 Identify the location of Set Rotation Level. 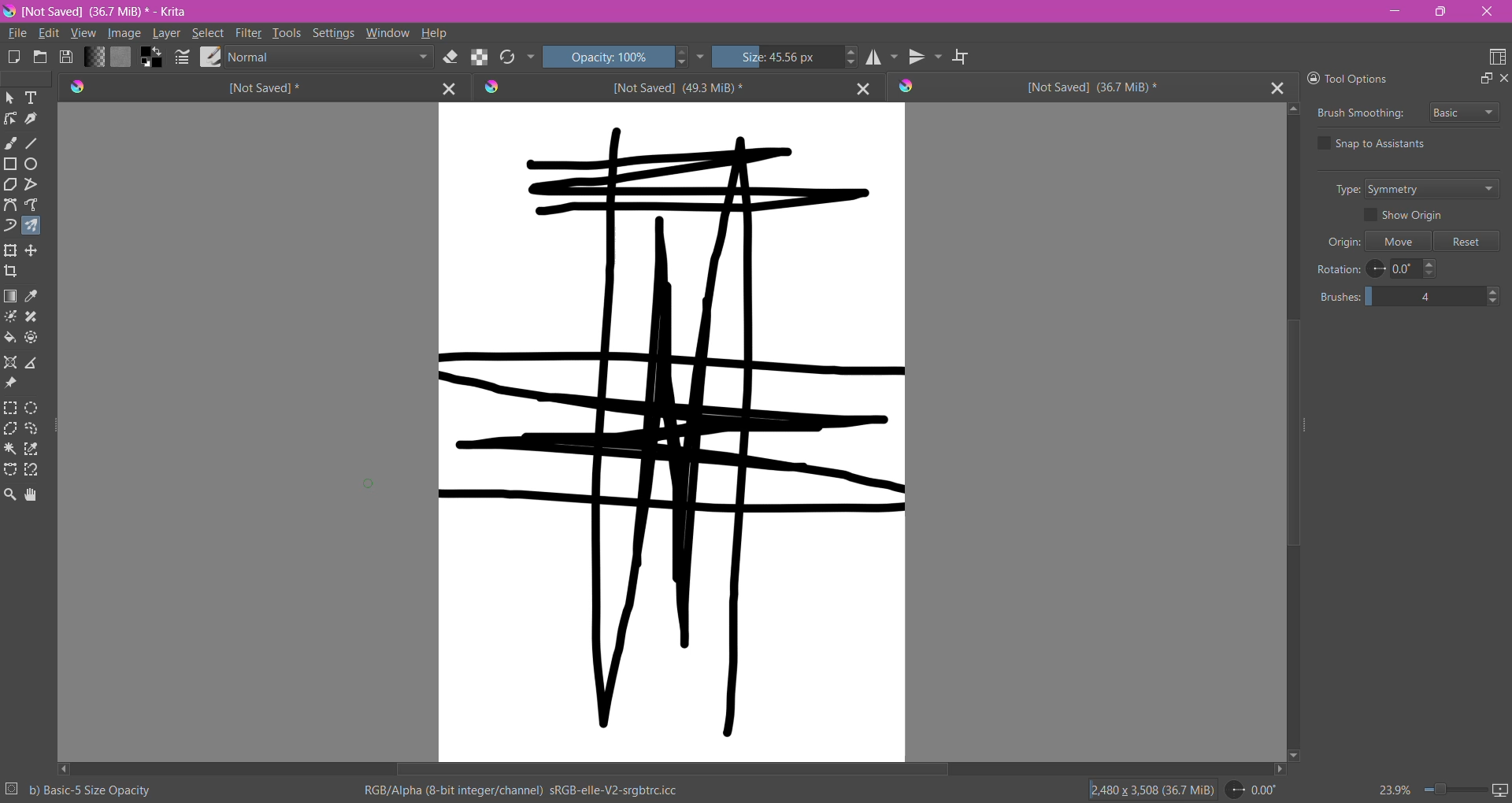
(1253, 791).